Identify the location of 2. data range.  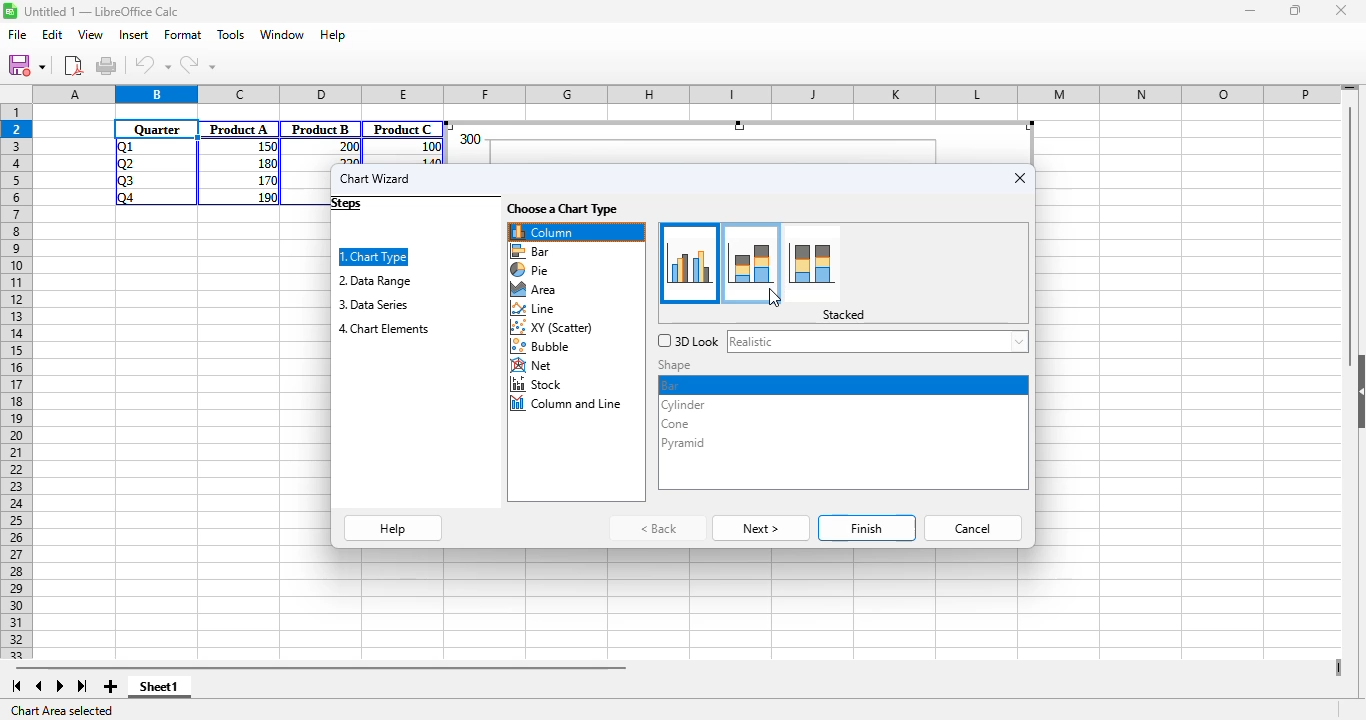
(375, 280).